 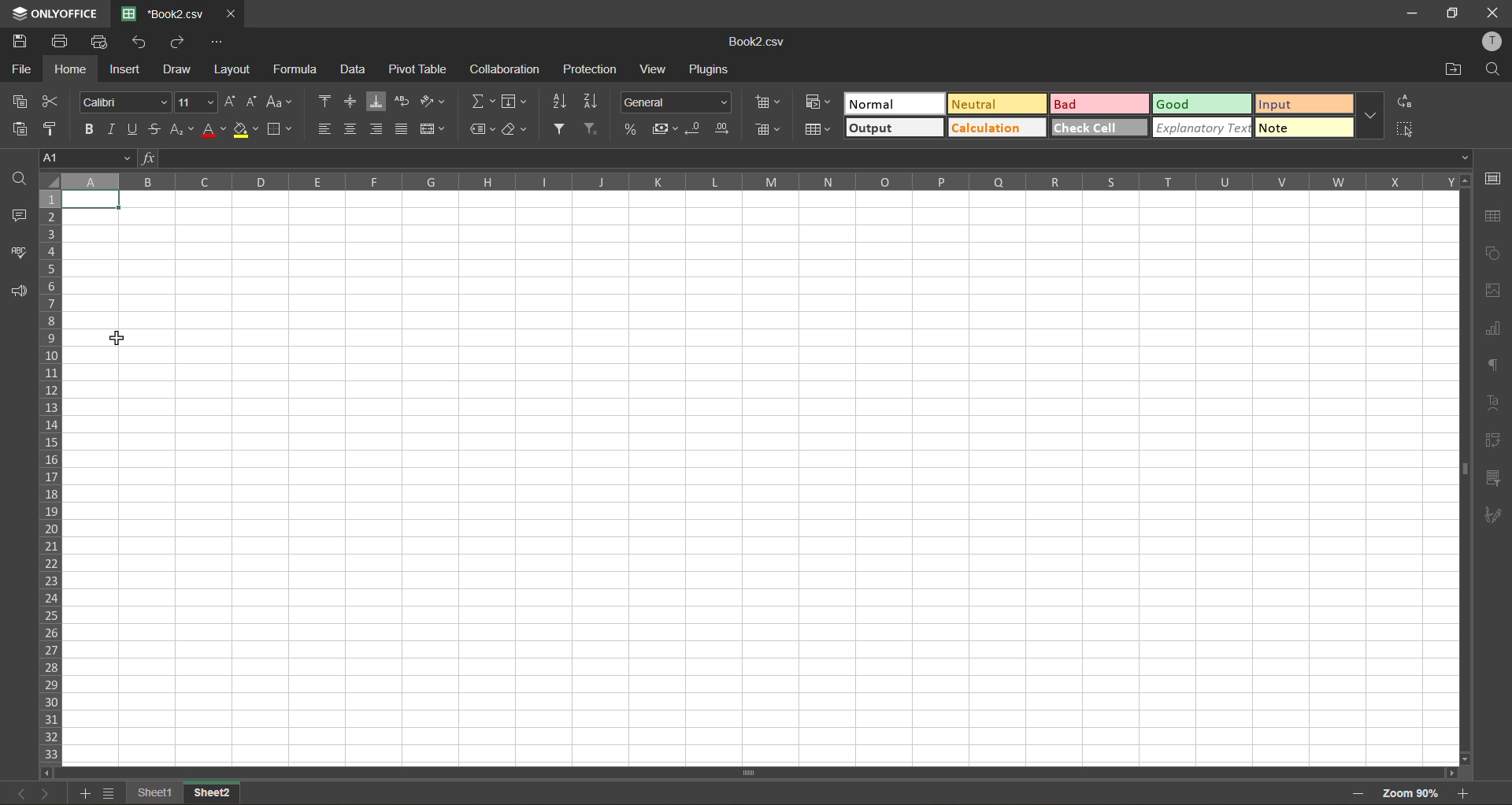 What do you see at coordinates (1450, 772) in the screenshot?
I see `move right` at bounding box center [1450, 772].